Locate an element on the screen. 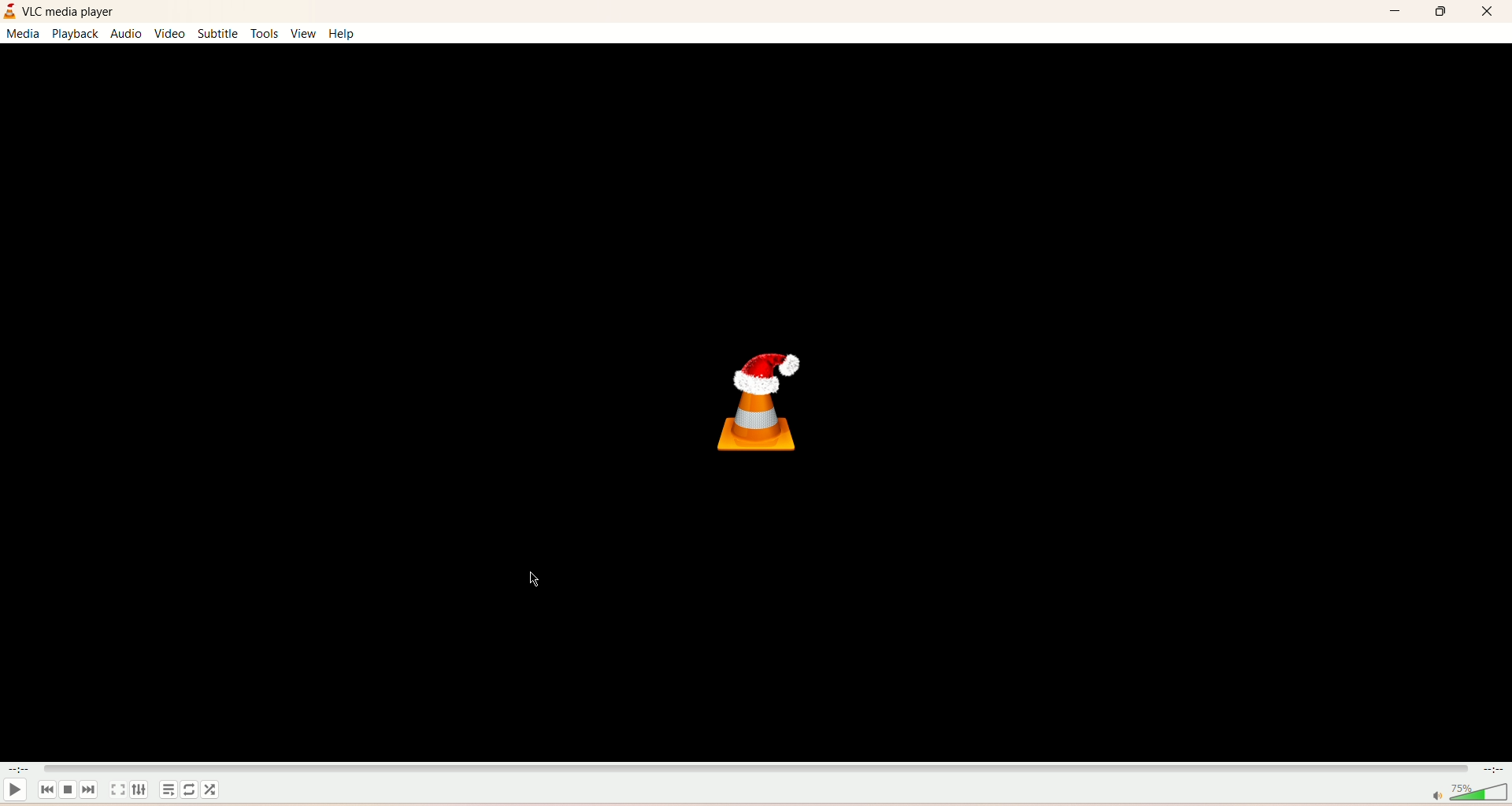  loop is located at coordinates (190, 790).